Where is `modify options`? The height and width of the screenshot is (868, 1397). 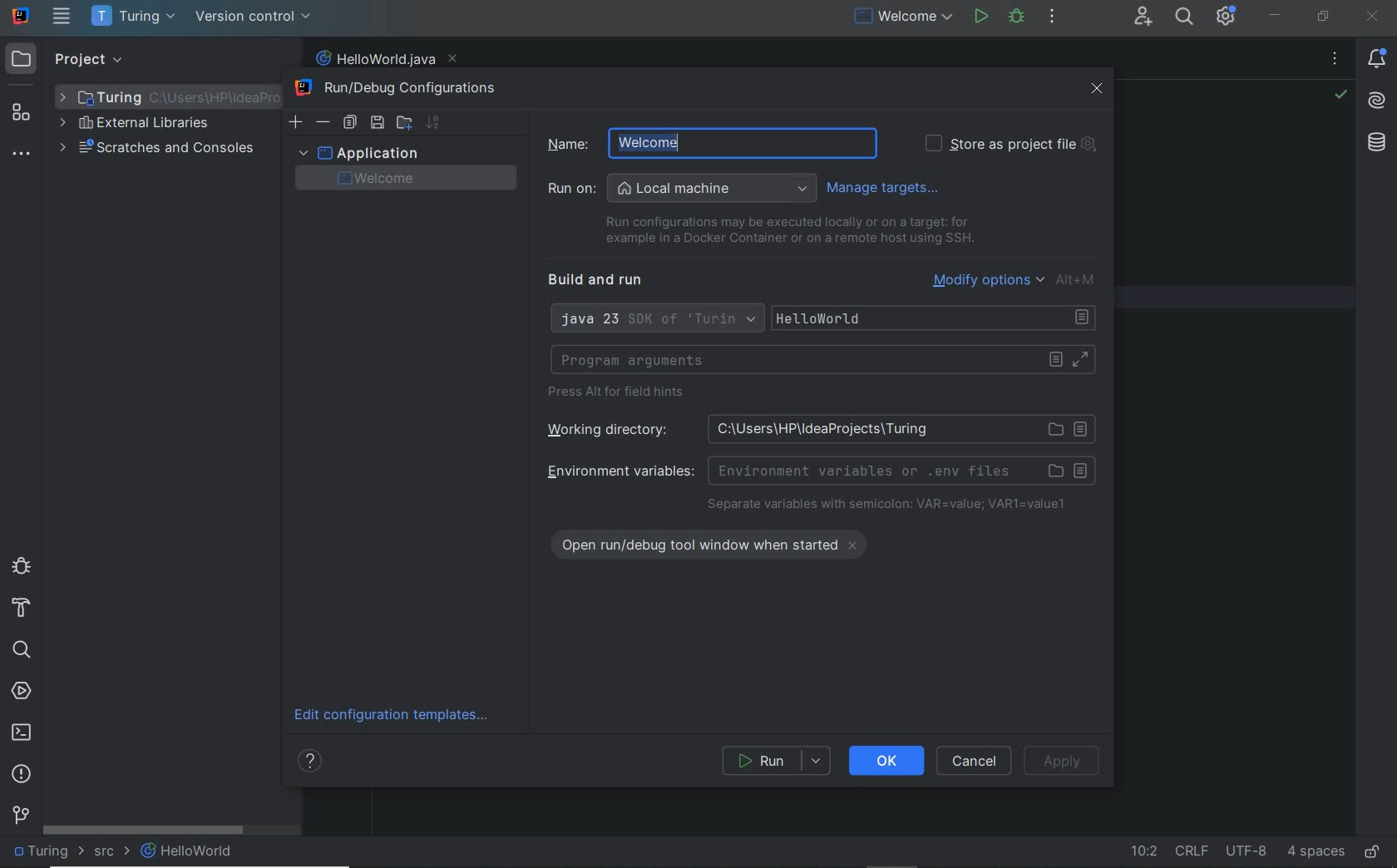
modify options is located at coordinates (1016, 279).